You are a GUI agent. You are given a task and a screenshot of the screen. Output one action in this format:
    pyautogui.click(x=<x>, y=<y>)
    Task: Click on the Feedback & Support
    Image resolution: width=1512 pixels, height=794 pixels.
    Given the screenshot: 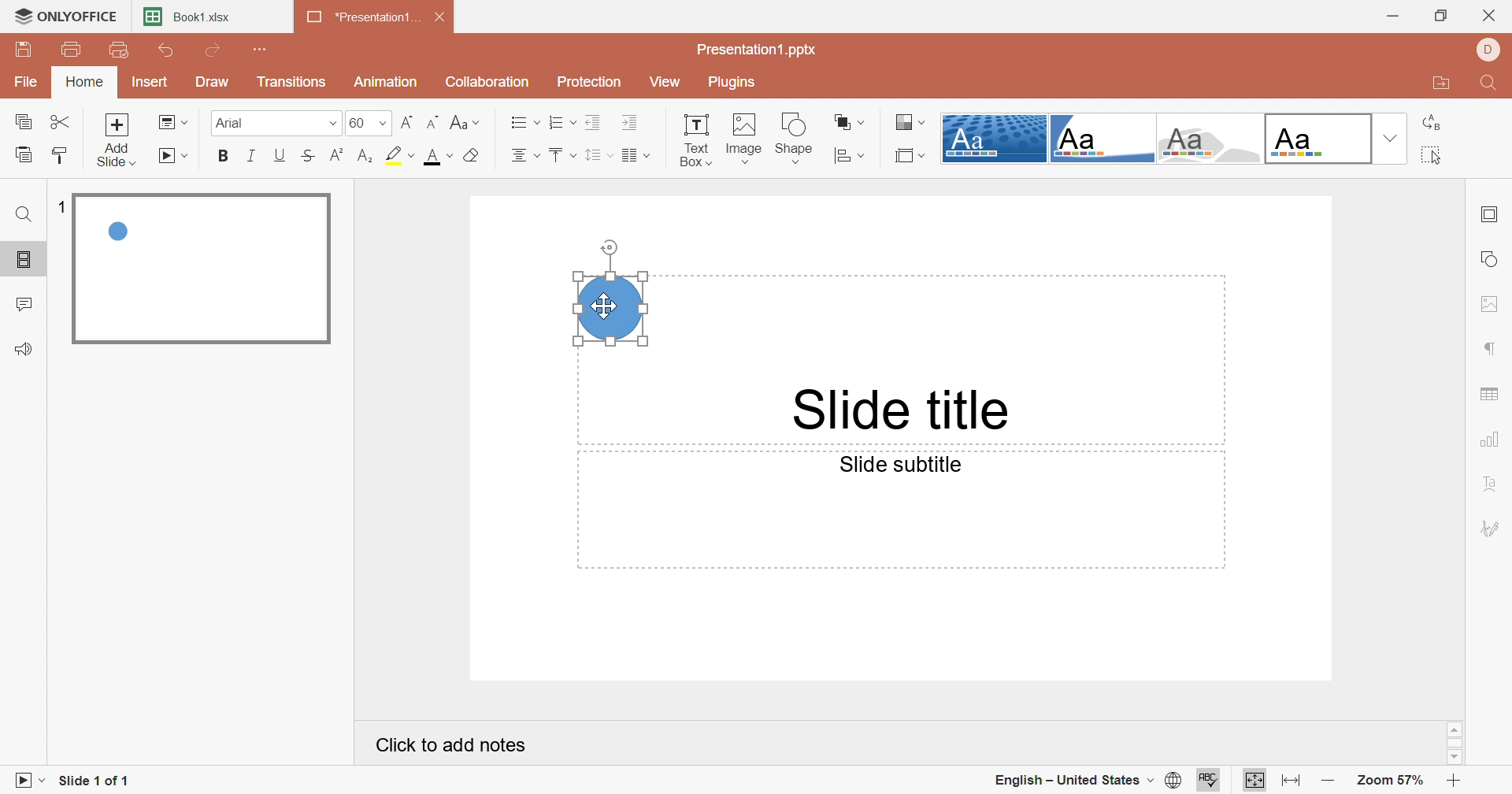 What is the action you would take?
    pyautogui.click(x=22, y=350)
    